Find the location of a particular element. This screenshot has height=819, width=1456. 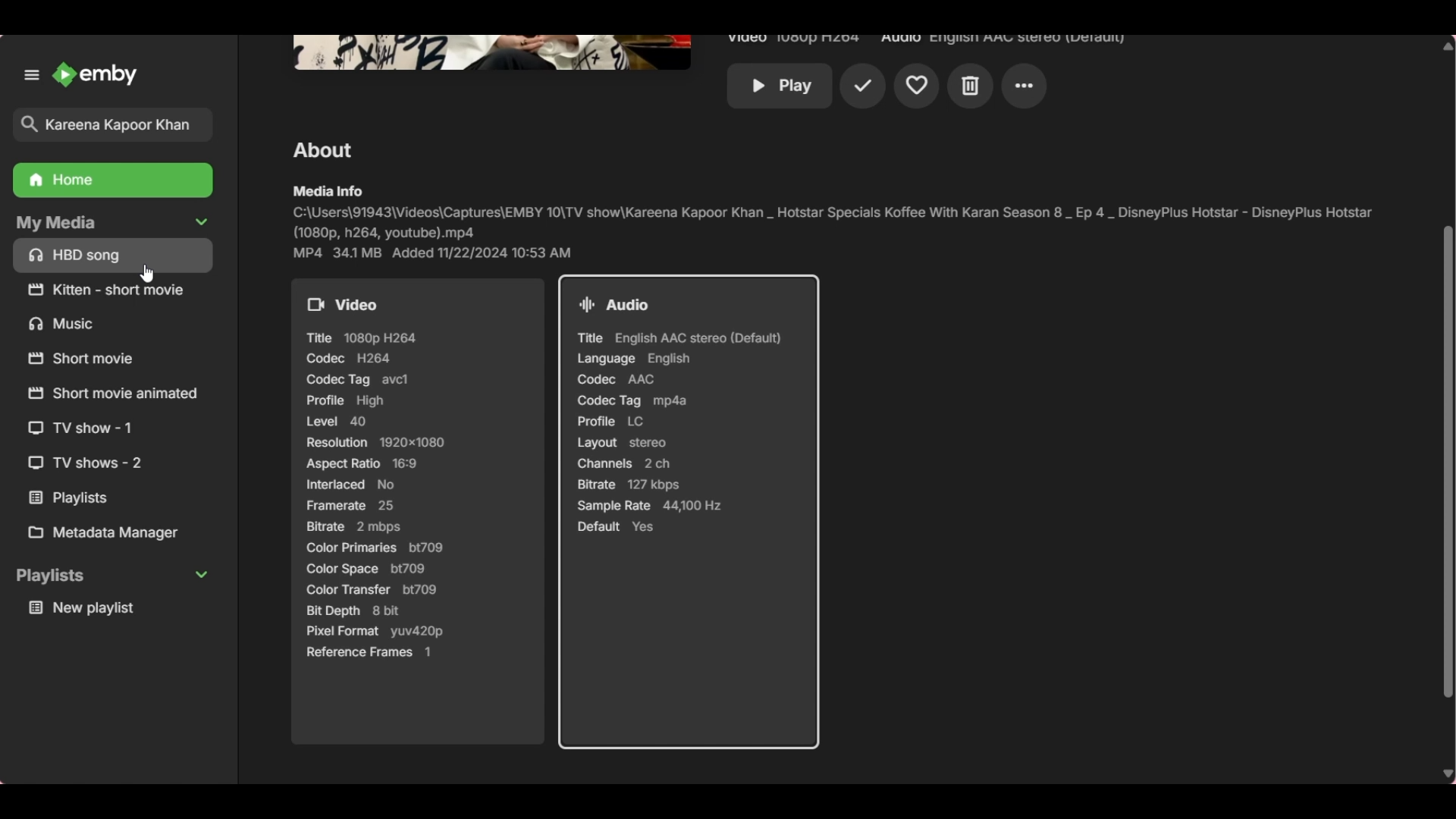

 is located at coordinates (928, 39).